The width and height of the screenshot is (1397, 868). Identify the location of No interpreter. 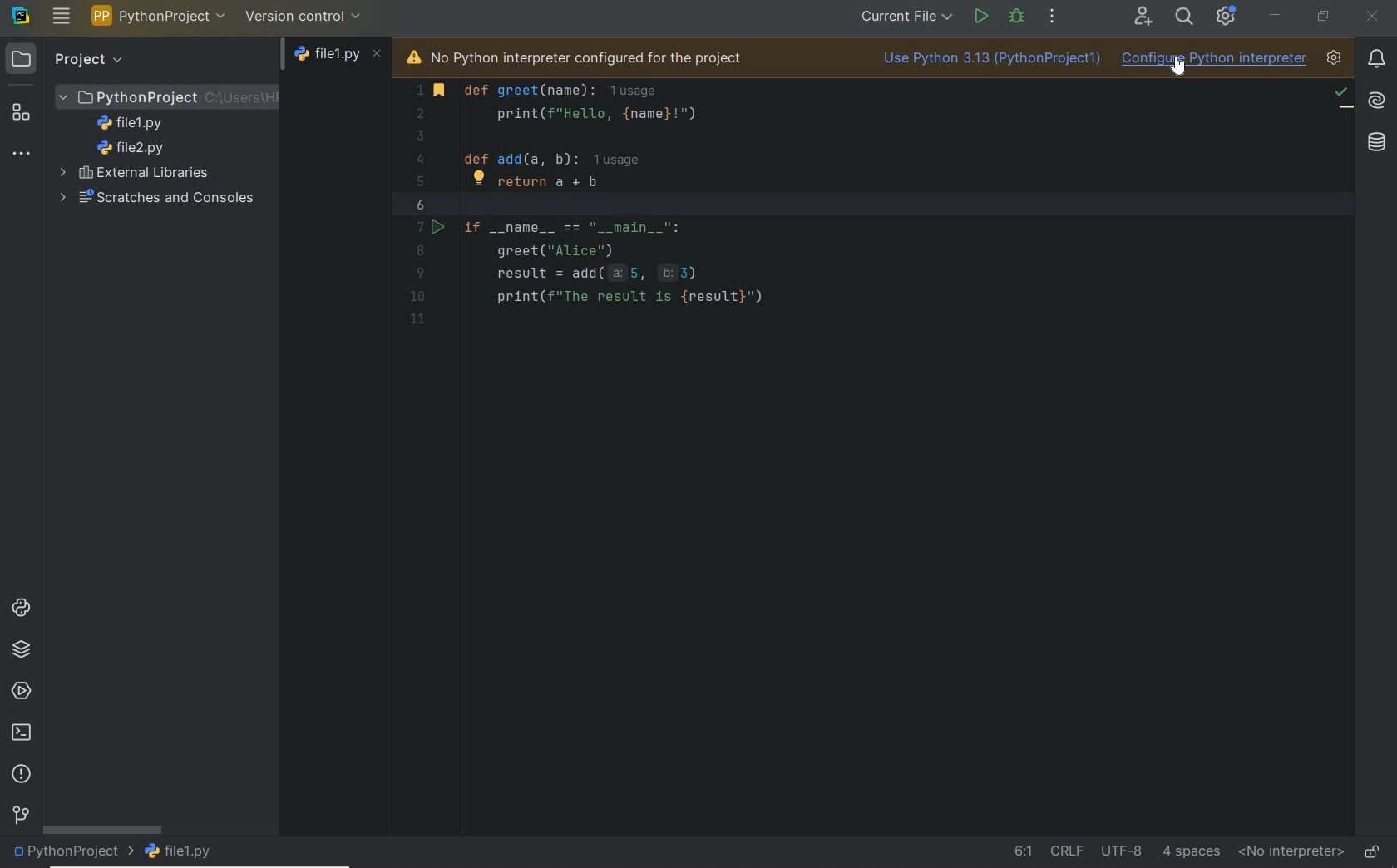
(1287, 852).